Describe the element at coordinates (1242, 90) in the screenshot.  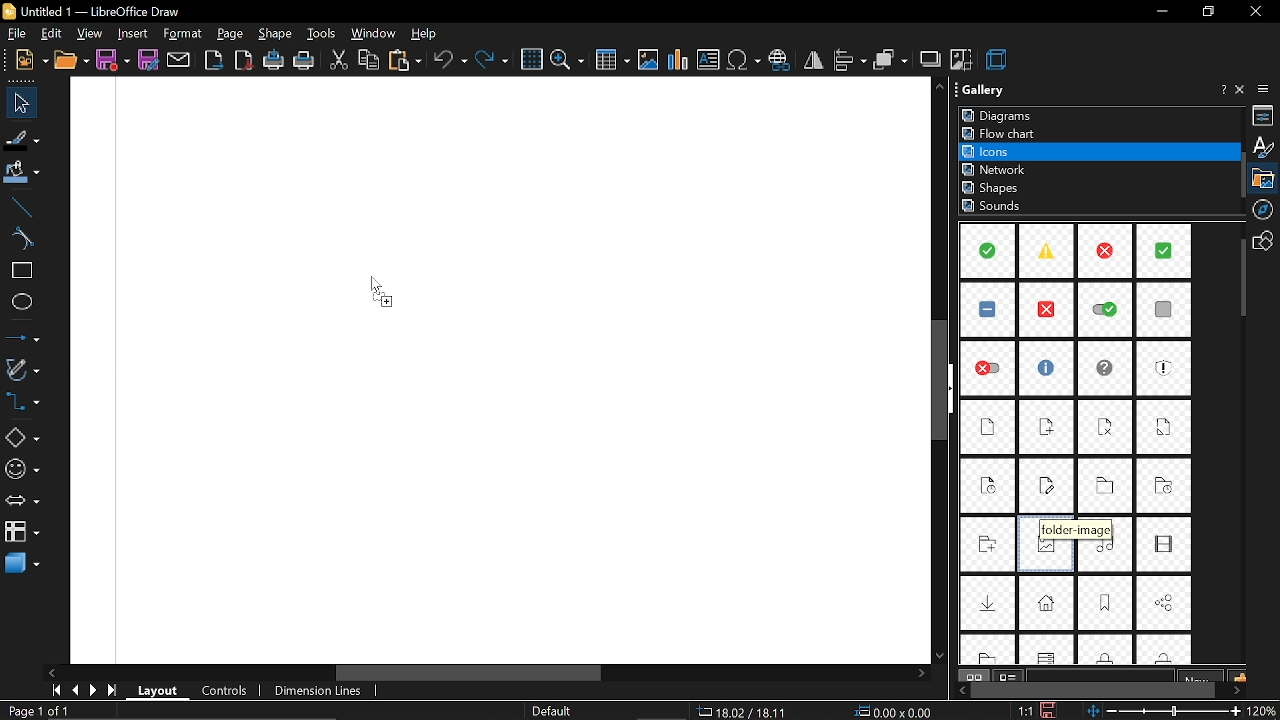
I see `close` at that location.